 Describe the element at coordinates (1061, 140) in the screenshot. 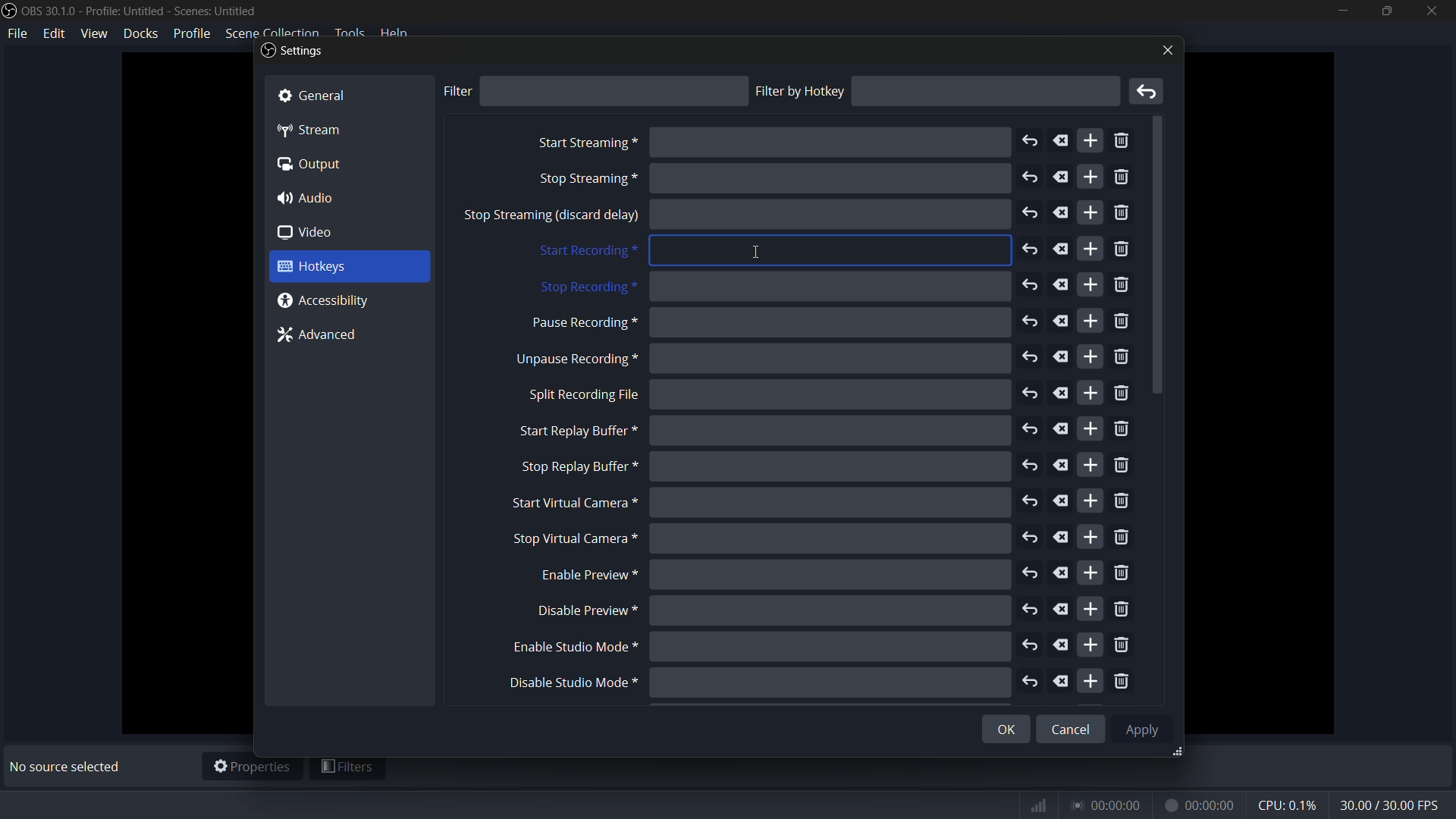

I see `delete` at that location.